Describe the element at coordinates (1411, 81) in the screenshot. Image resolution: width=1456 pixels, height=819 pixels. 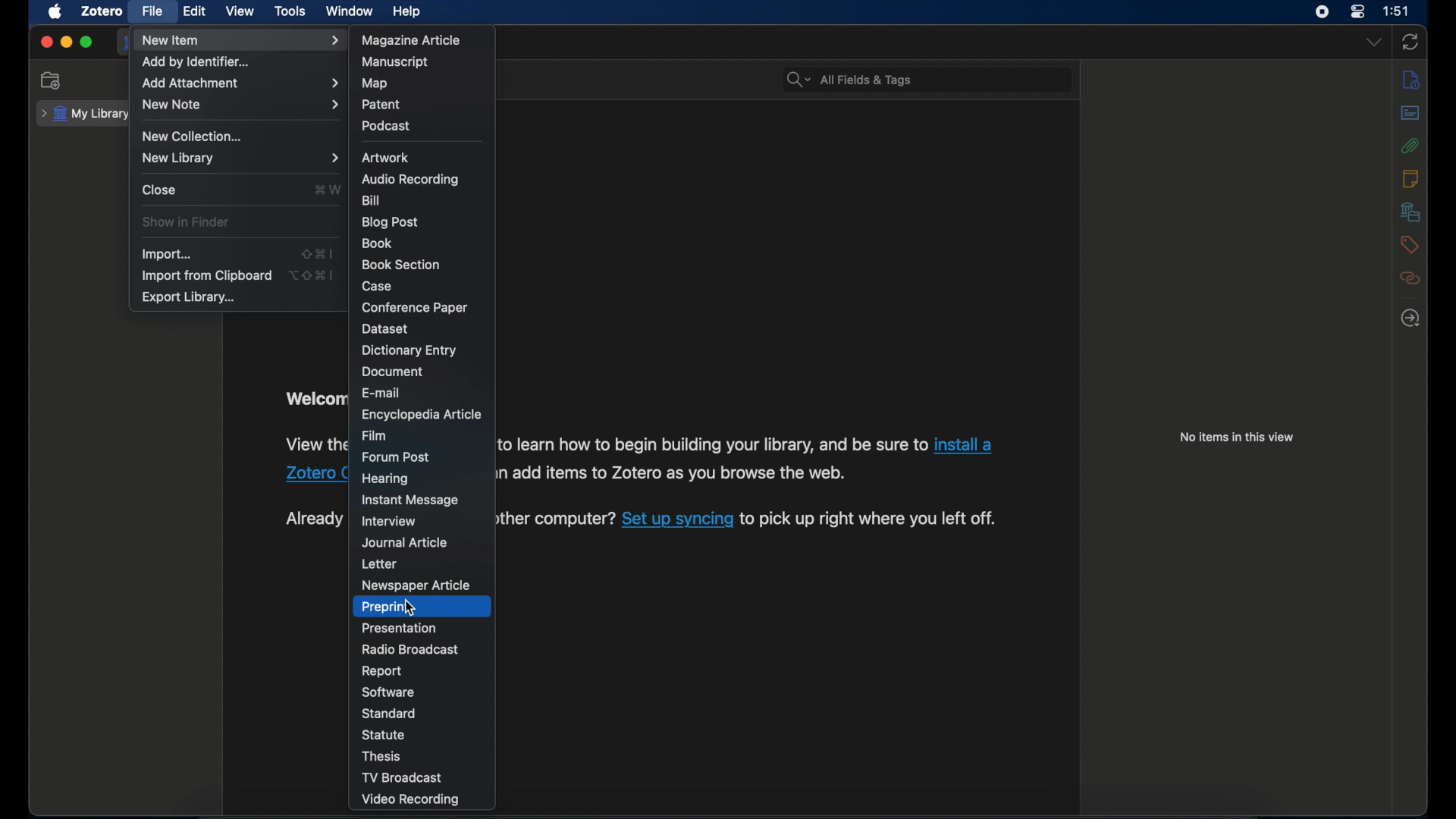
I see `info` at that location.